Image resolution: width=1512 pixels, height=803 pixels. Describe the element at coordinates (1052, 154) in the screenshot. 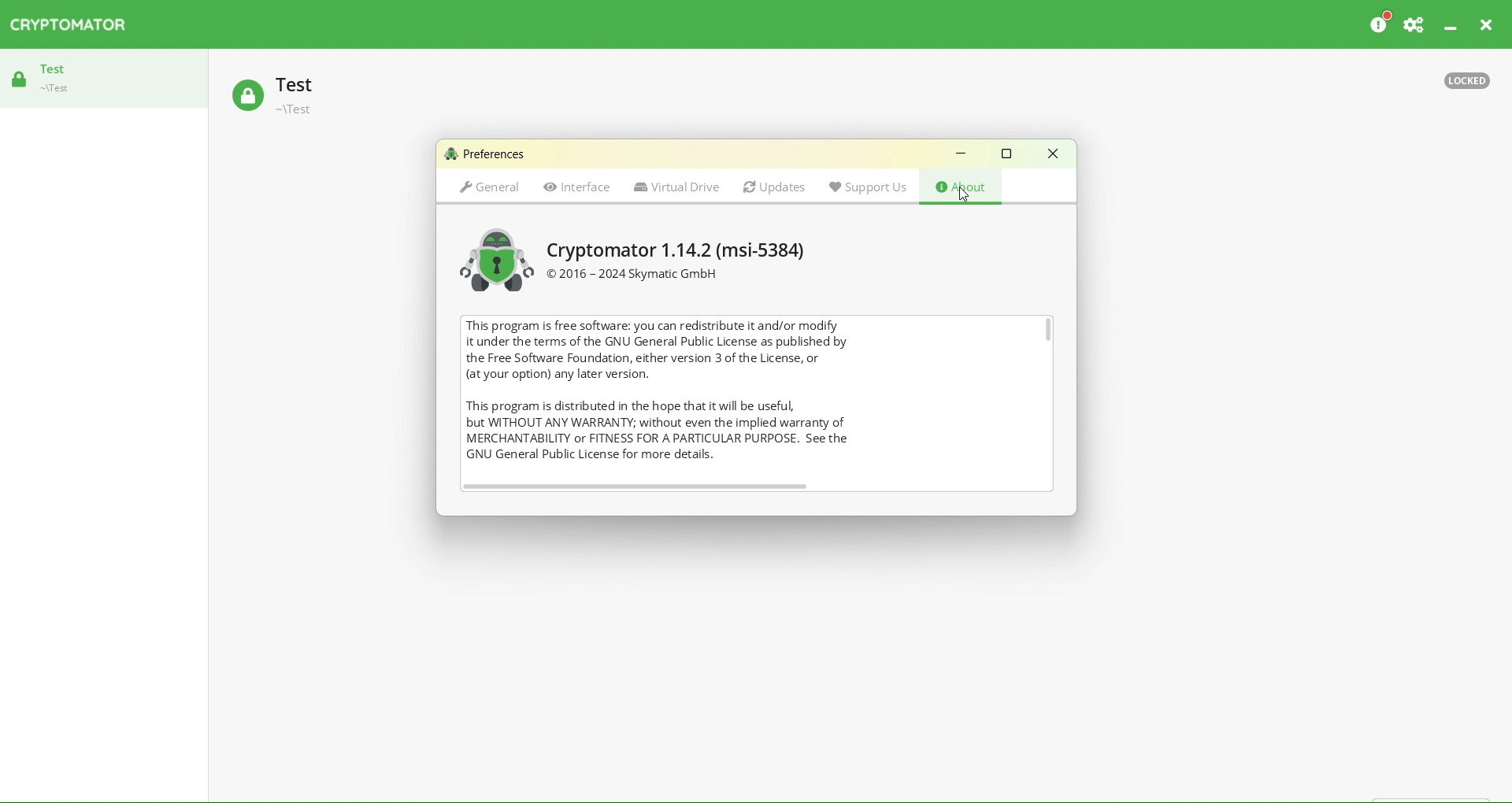

I see `Close` at that location.